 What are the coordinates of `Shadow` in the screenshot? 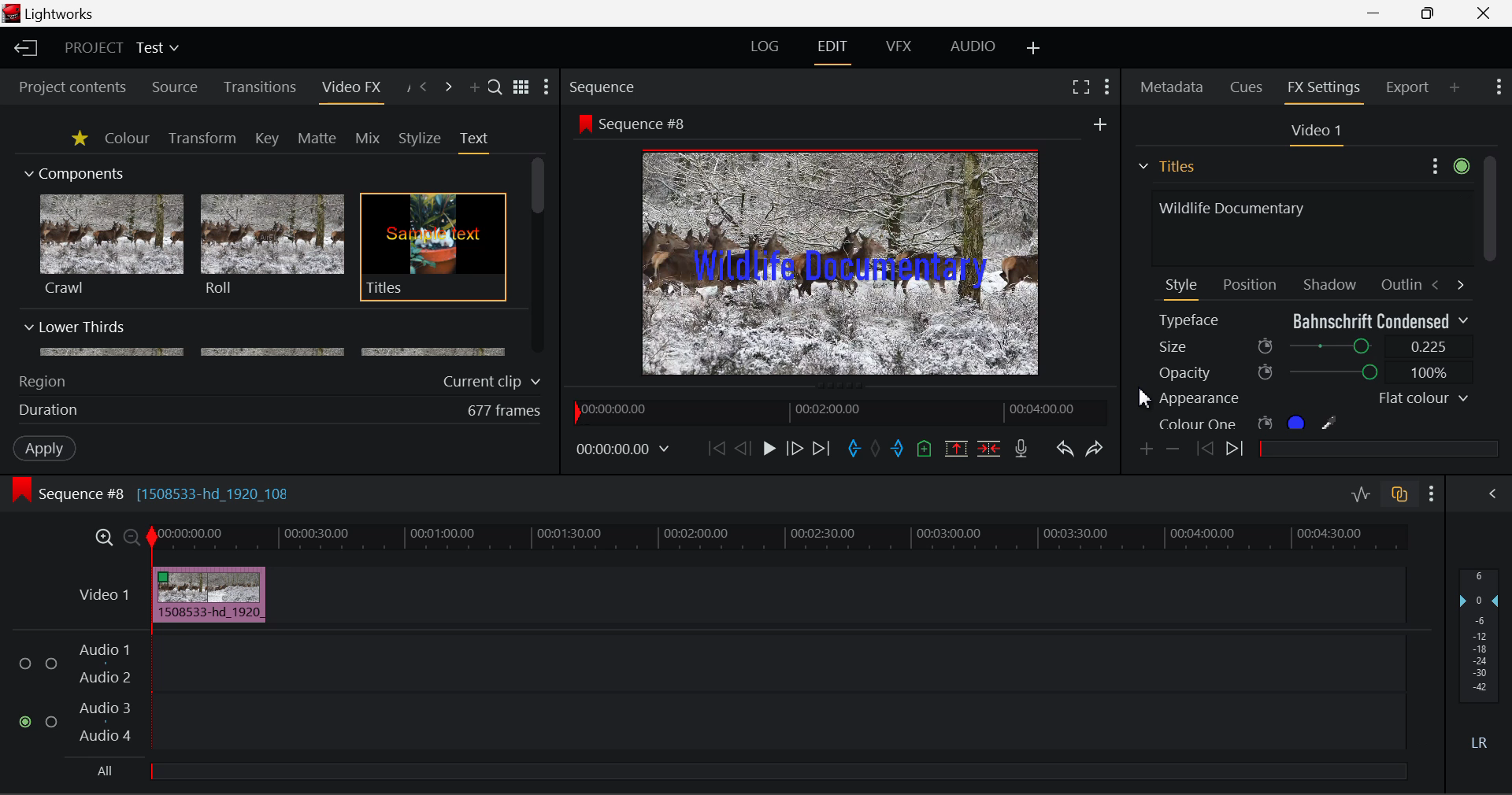 It's located at (1331, 281).